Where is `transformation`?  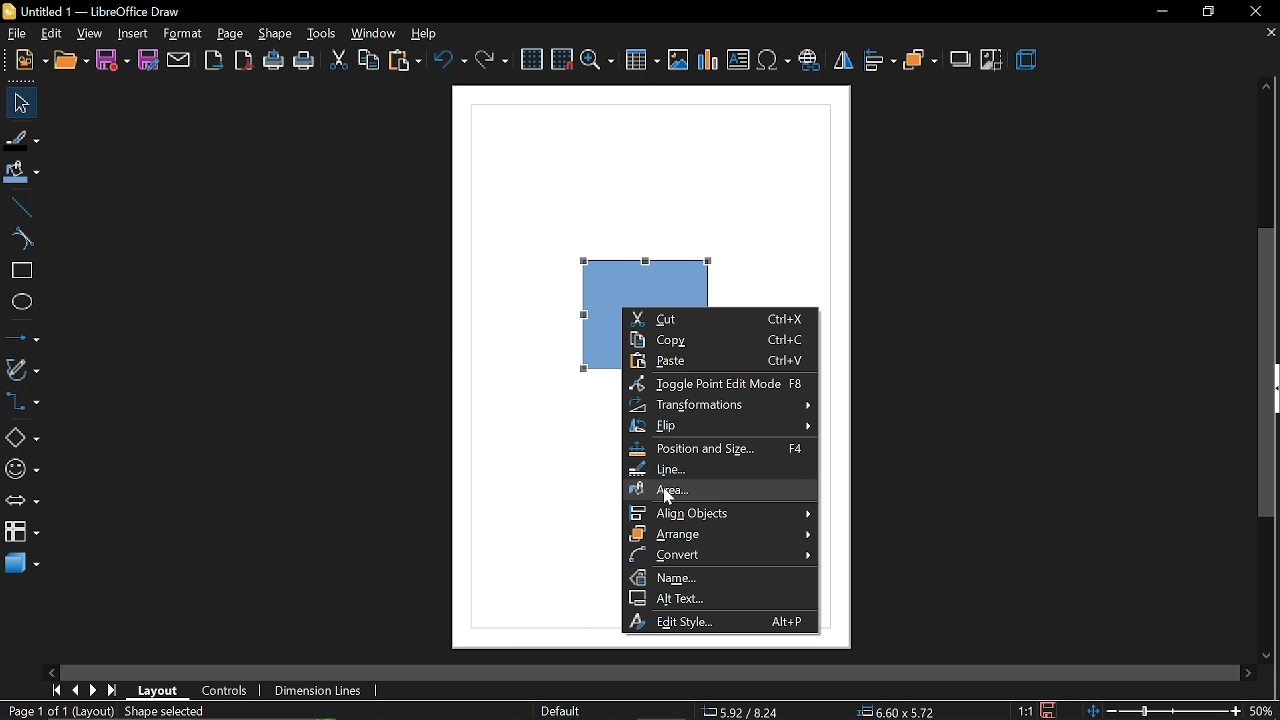 transformation is located at coordinates (719, 405).